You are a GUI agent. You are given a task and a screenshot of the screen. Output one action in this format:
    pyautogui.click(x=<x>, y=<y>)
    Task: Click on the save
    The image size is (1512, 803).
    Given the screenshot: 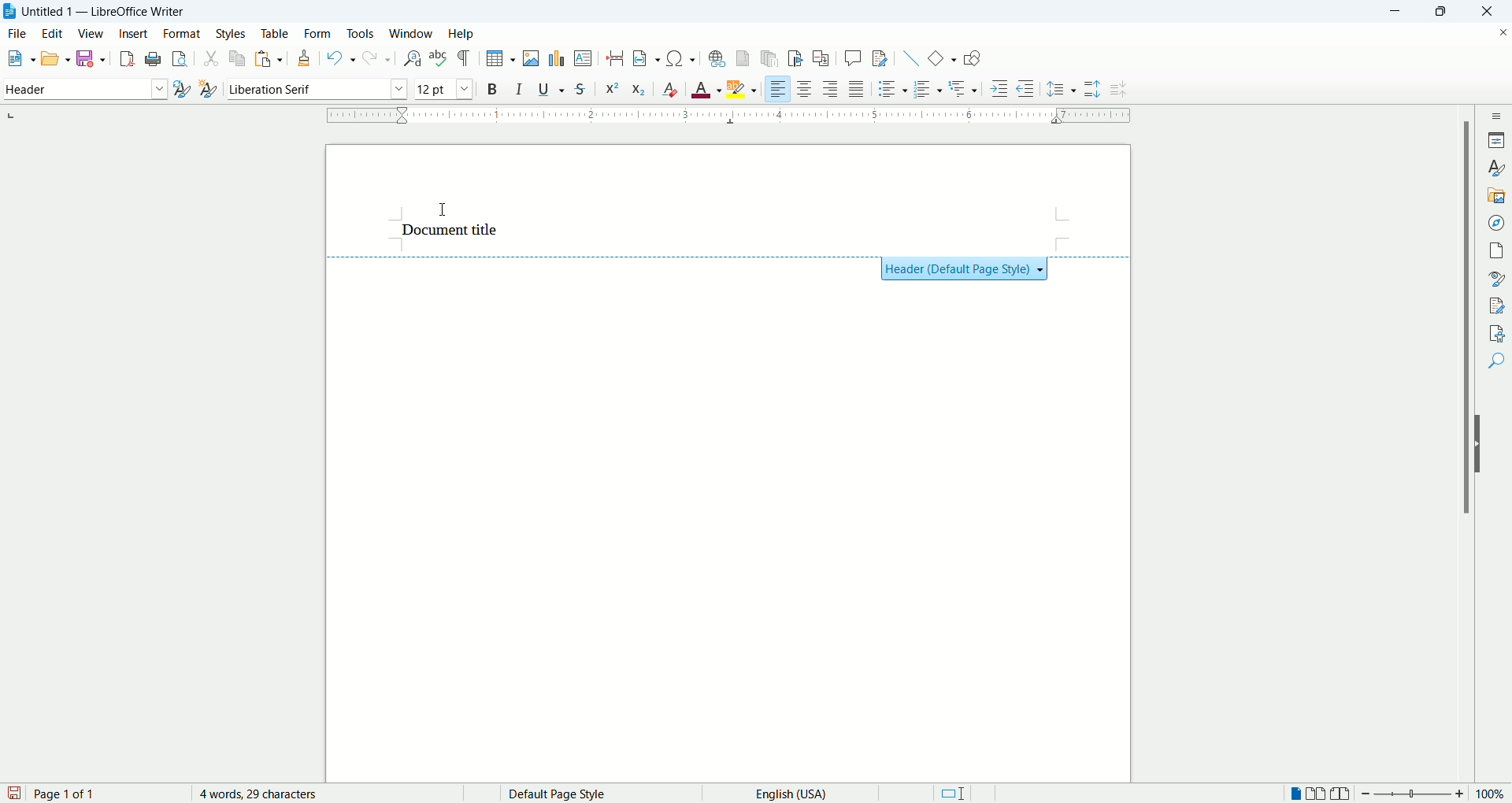 What is the action you would take?
    pyautogui.click(x=15, y=791)
    